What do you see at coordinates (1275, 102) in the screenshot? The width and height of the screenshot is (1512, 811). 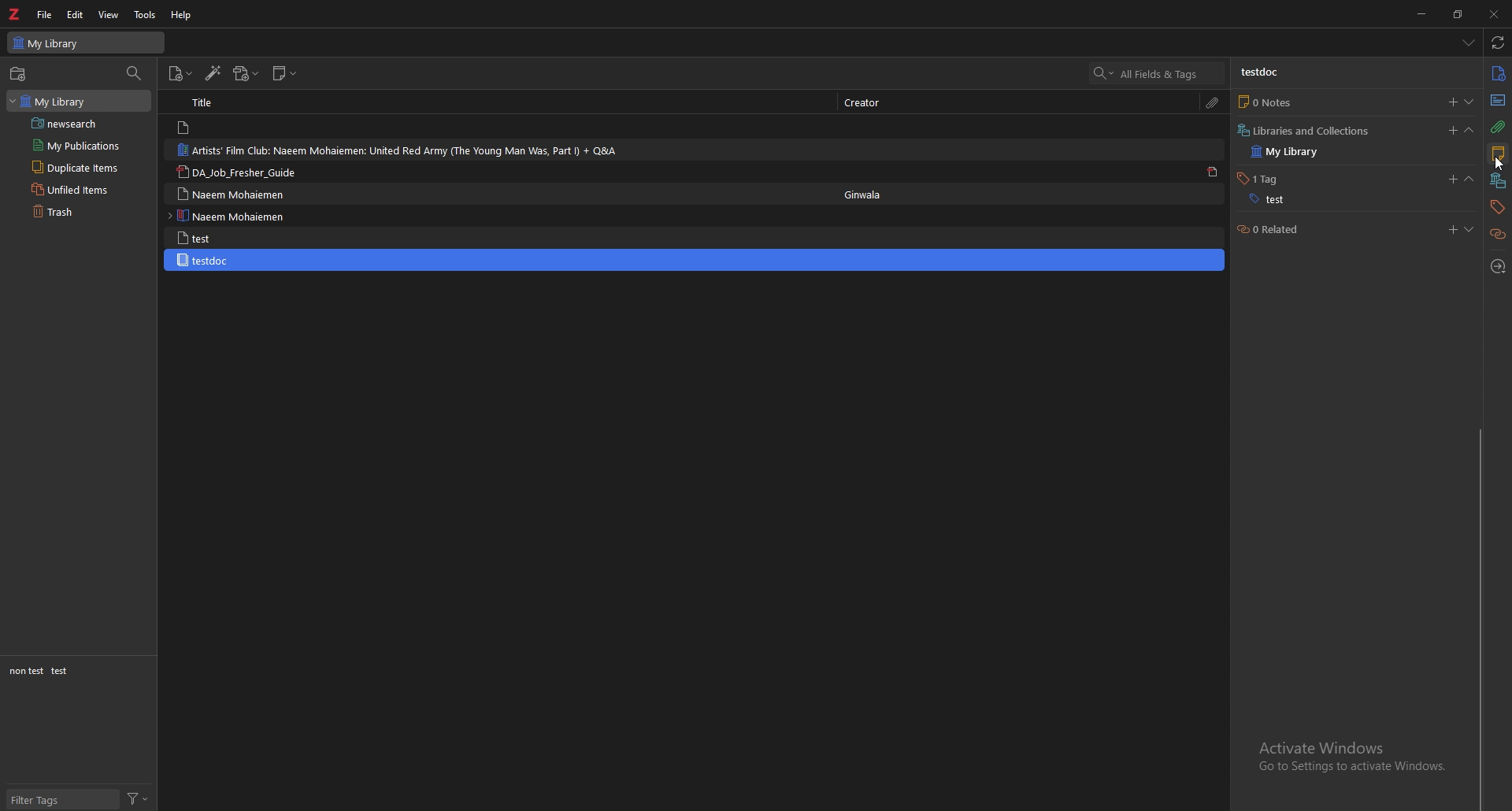 I see `0 notes` at bounding box center [1275, 102].